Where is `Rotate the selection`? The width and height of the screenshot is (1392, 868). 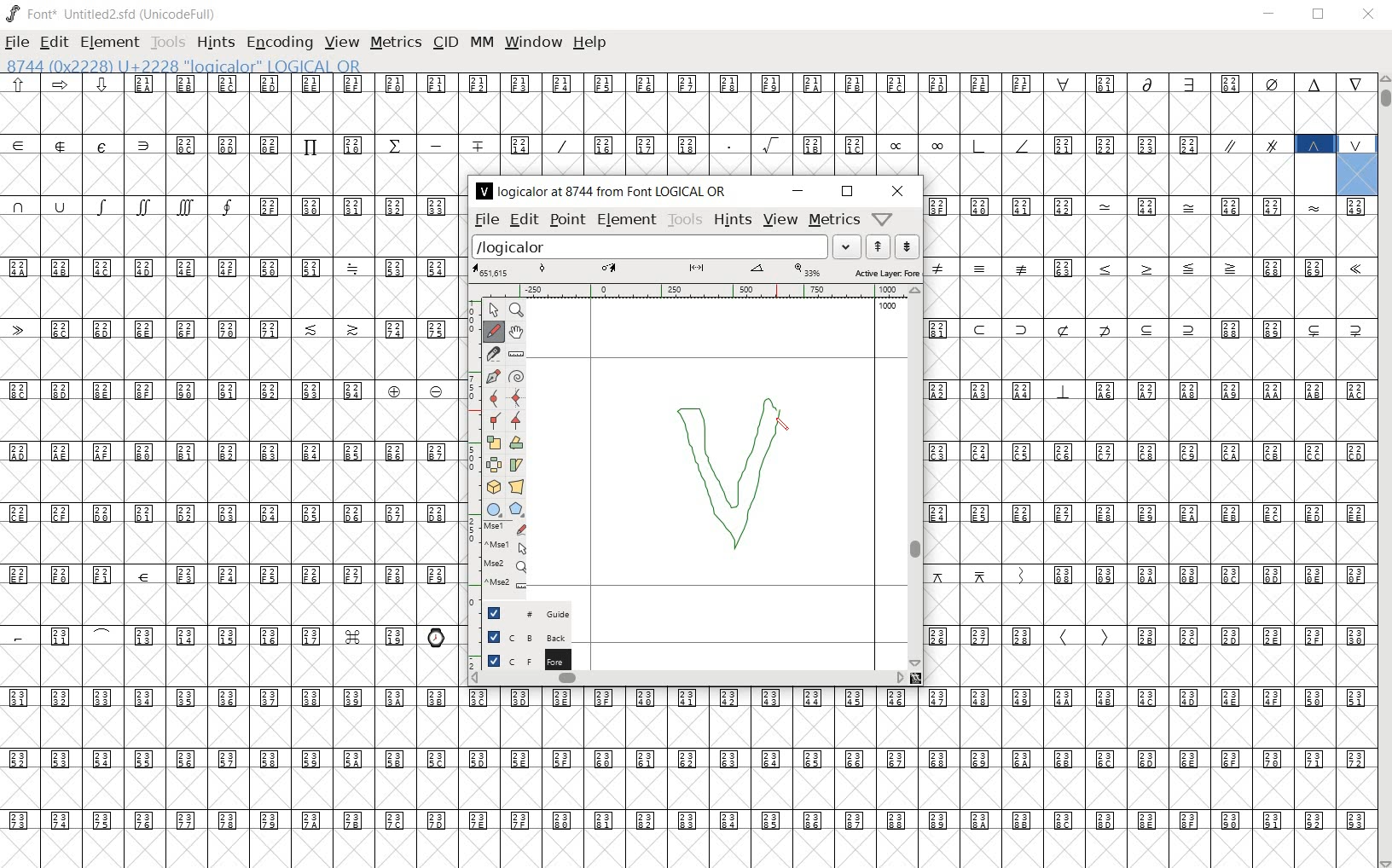
Rotate the selection is located at coordinates (515, 466).